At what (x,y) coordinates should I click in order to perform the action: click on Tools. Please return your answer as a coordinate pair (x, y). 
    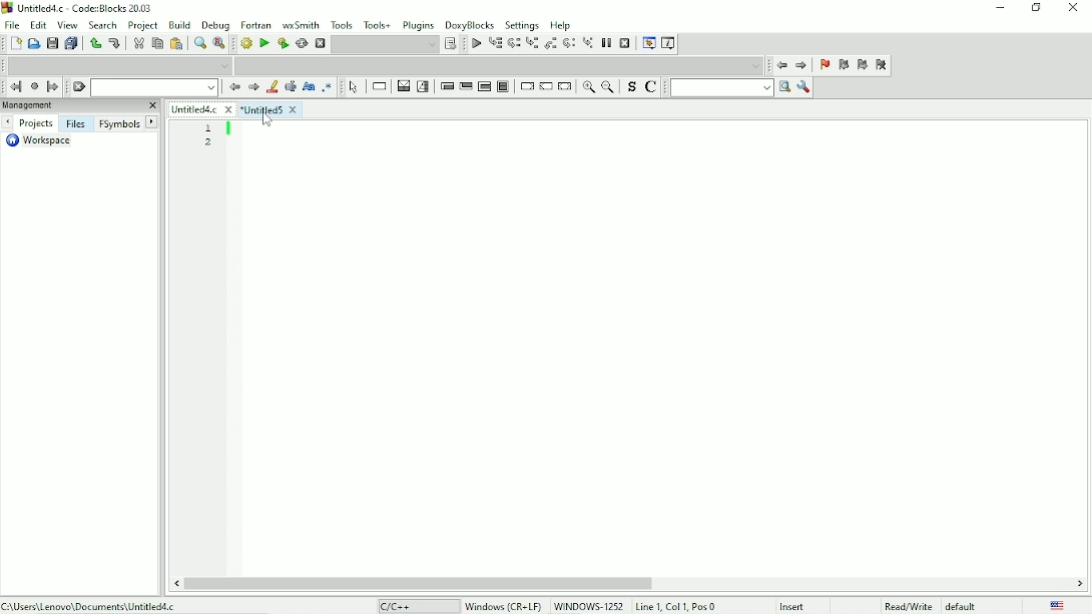
    Looking at the image, I should click on (342, 25).